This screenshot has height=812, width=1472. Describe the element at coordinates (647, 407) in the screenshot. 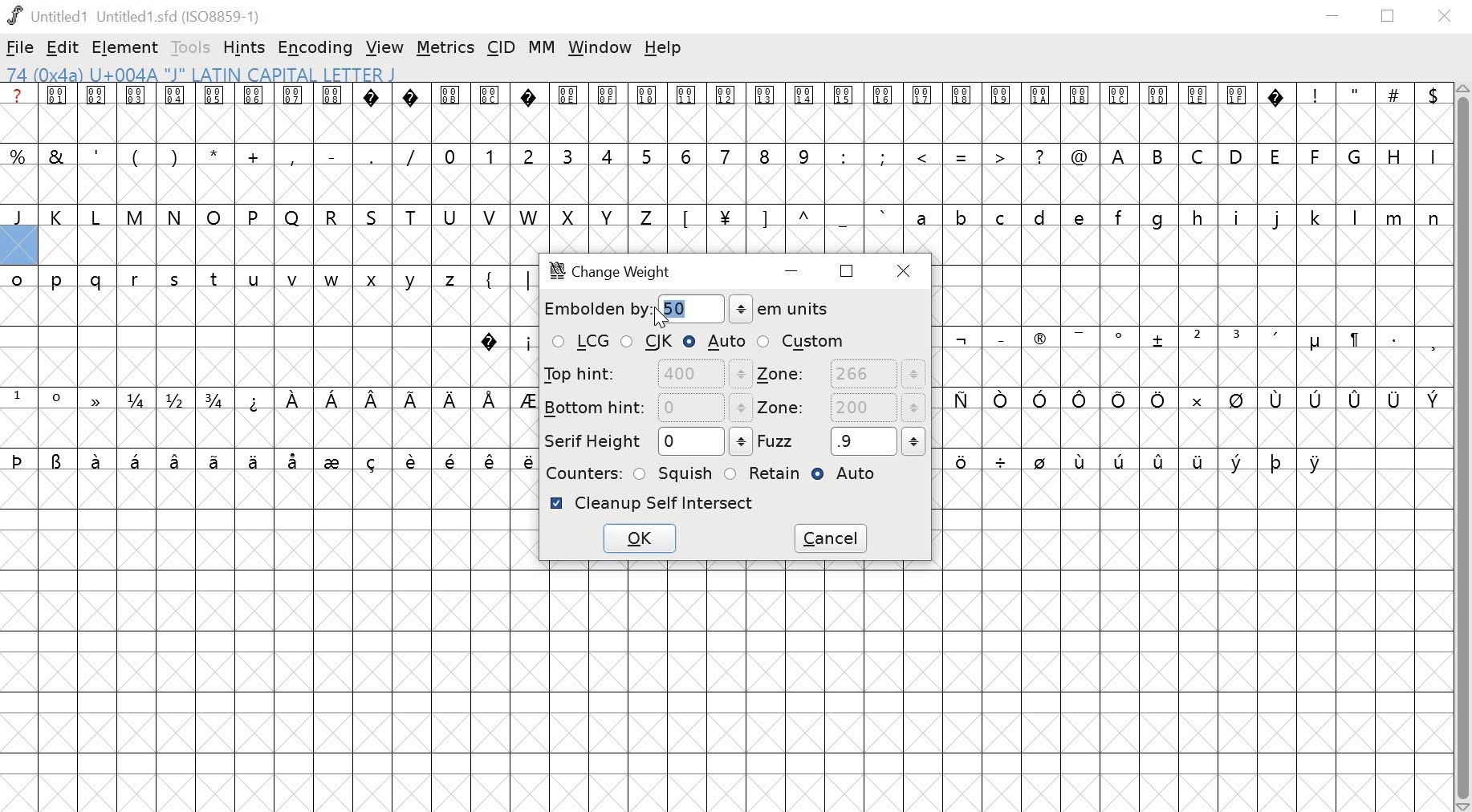

I see `BOTTOM HINT` at that location.